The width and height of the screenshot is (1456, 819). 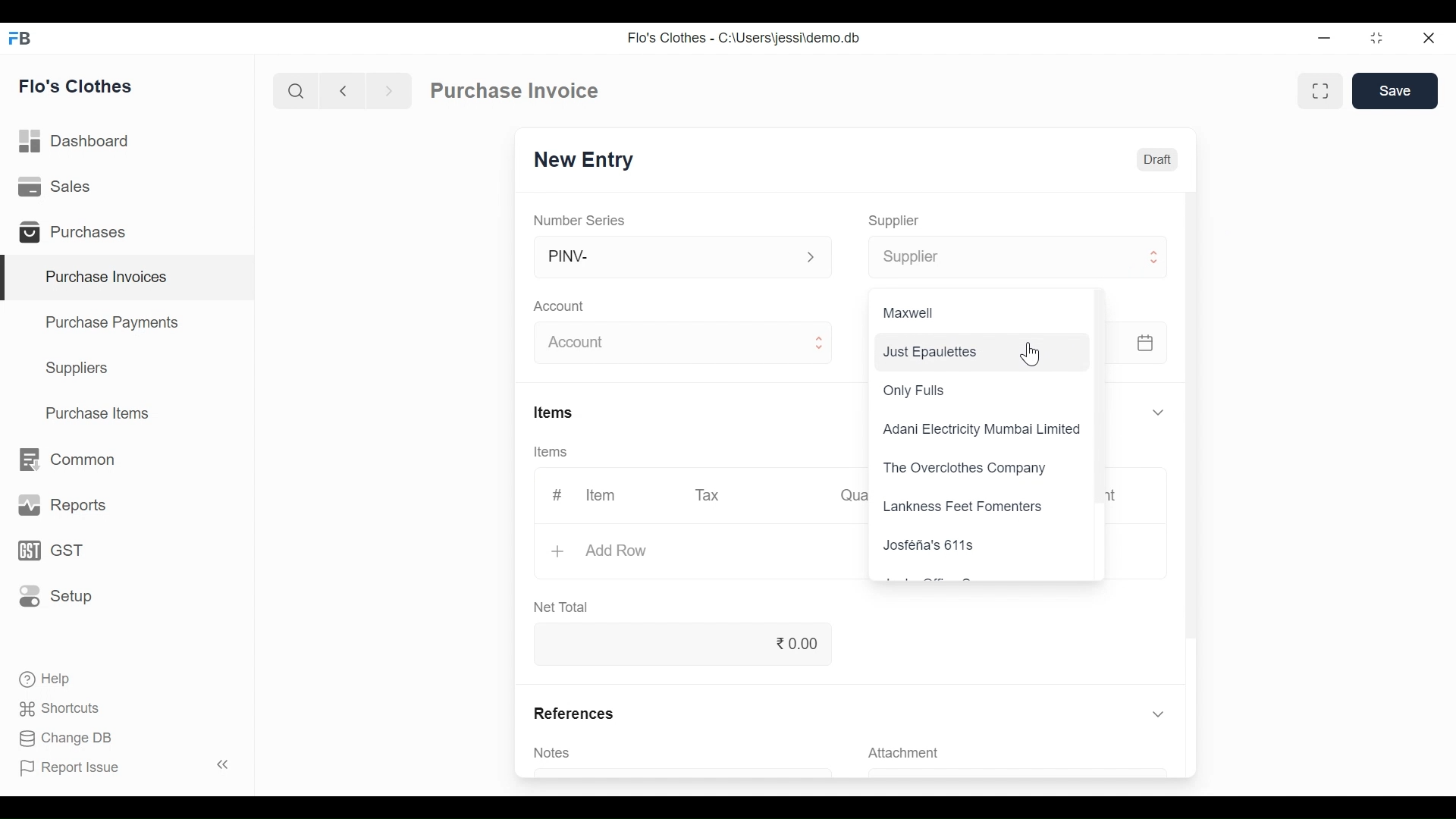 What do you see at coordinates (59, 504) in the screenshot?
I see `Reports` at bounding box center [59, 504].